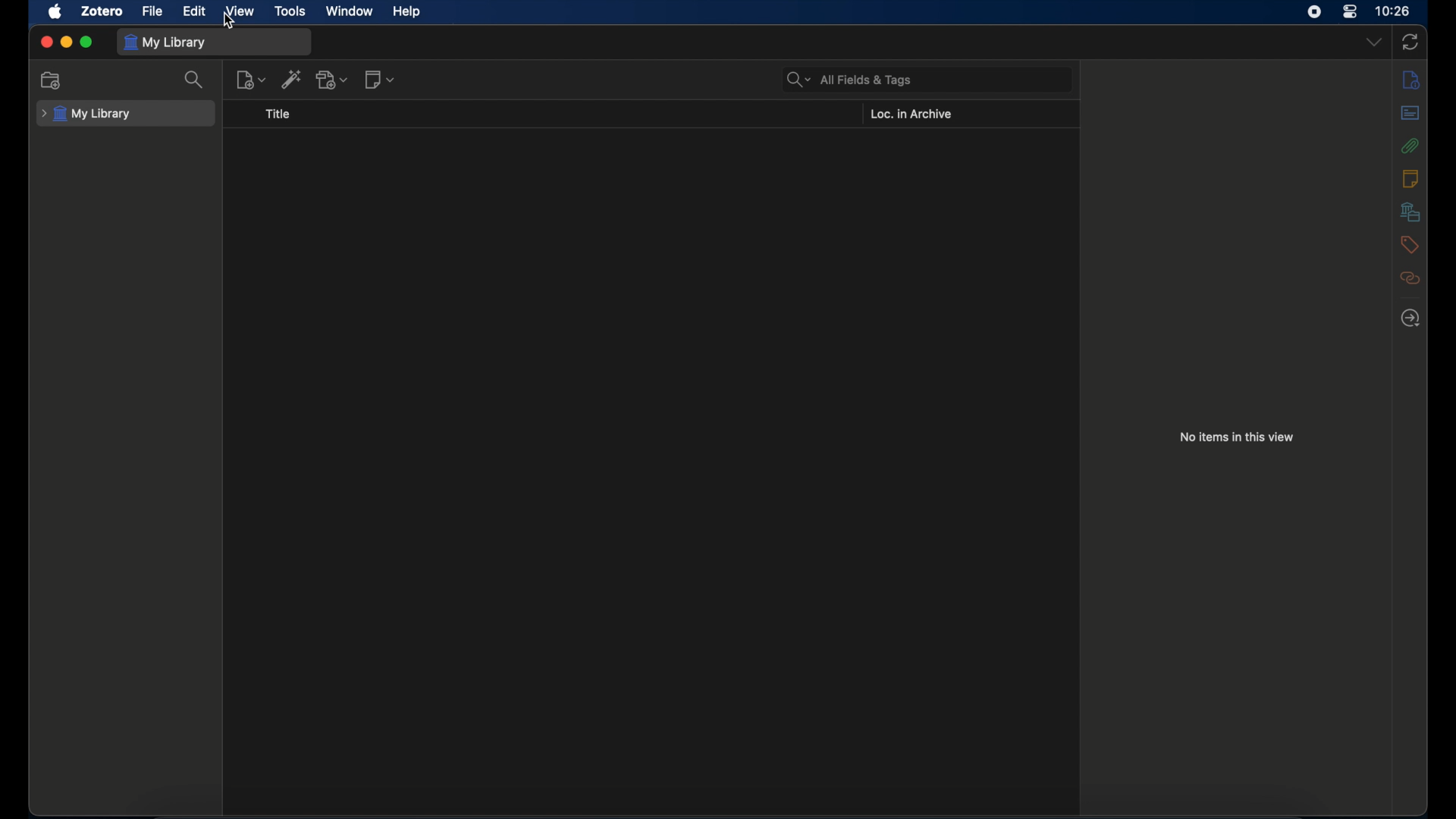 The image size is (1456, 819). I want to click on notes, so click(1410, 178).